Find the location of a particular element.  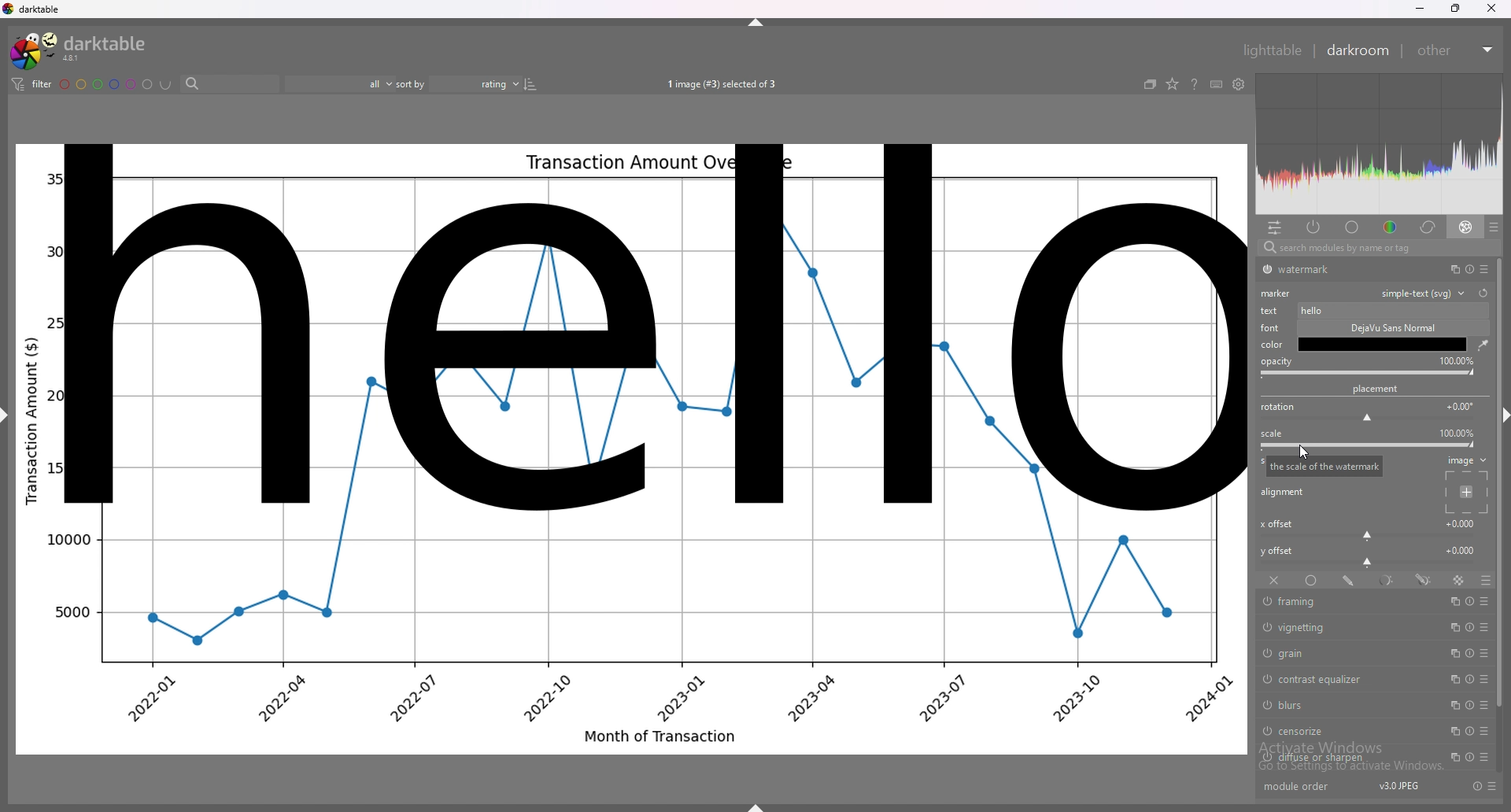

including color labels is located at coordinates (165, 85).